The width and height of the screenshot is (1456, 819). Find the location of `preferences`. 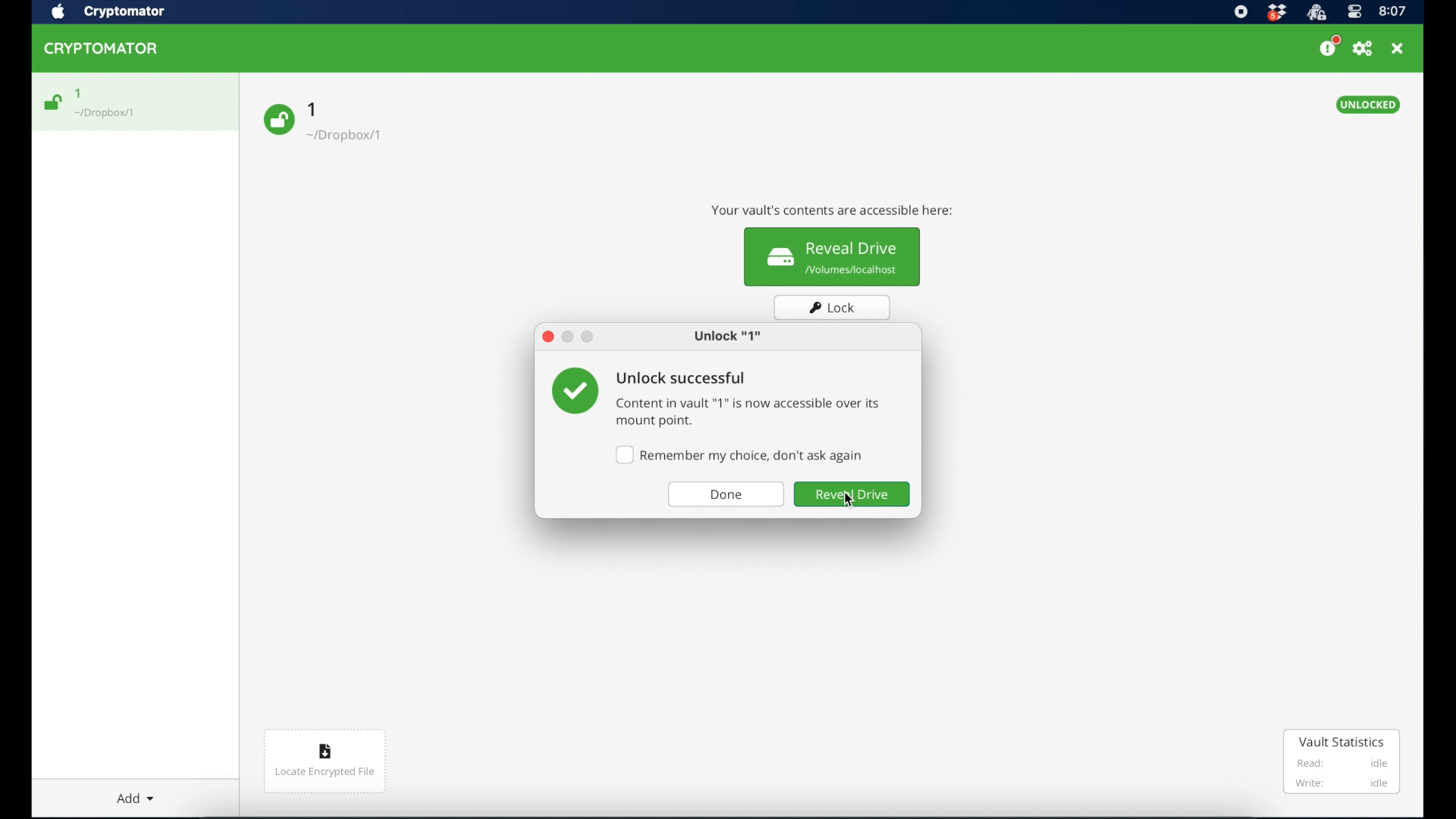

preferences is located at coordinates (1363, 49).